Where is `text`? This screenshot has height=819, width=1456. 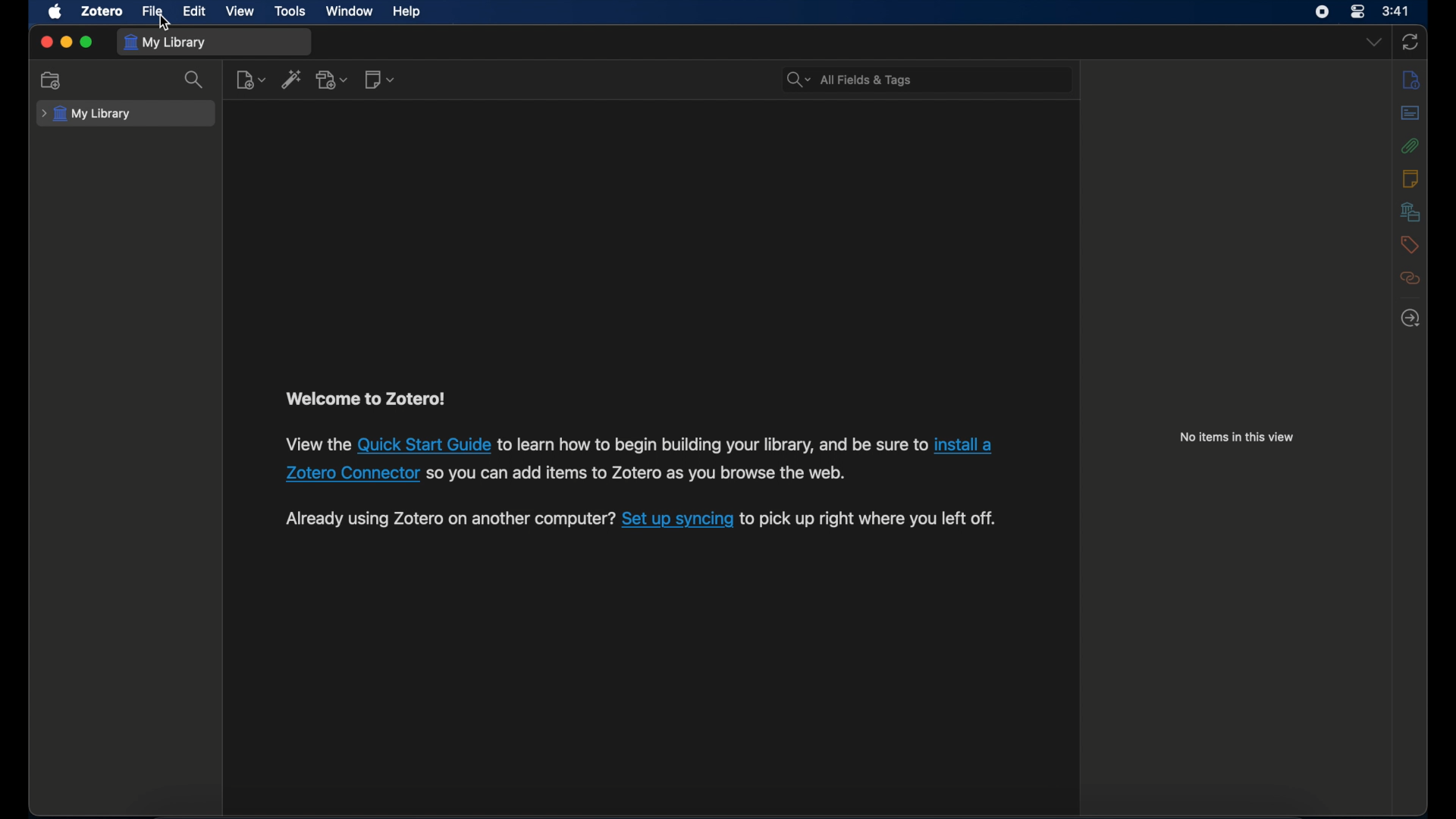
text is located at coordinates (636, 474).